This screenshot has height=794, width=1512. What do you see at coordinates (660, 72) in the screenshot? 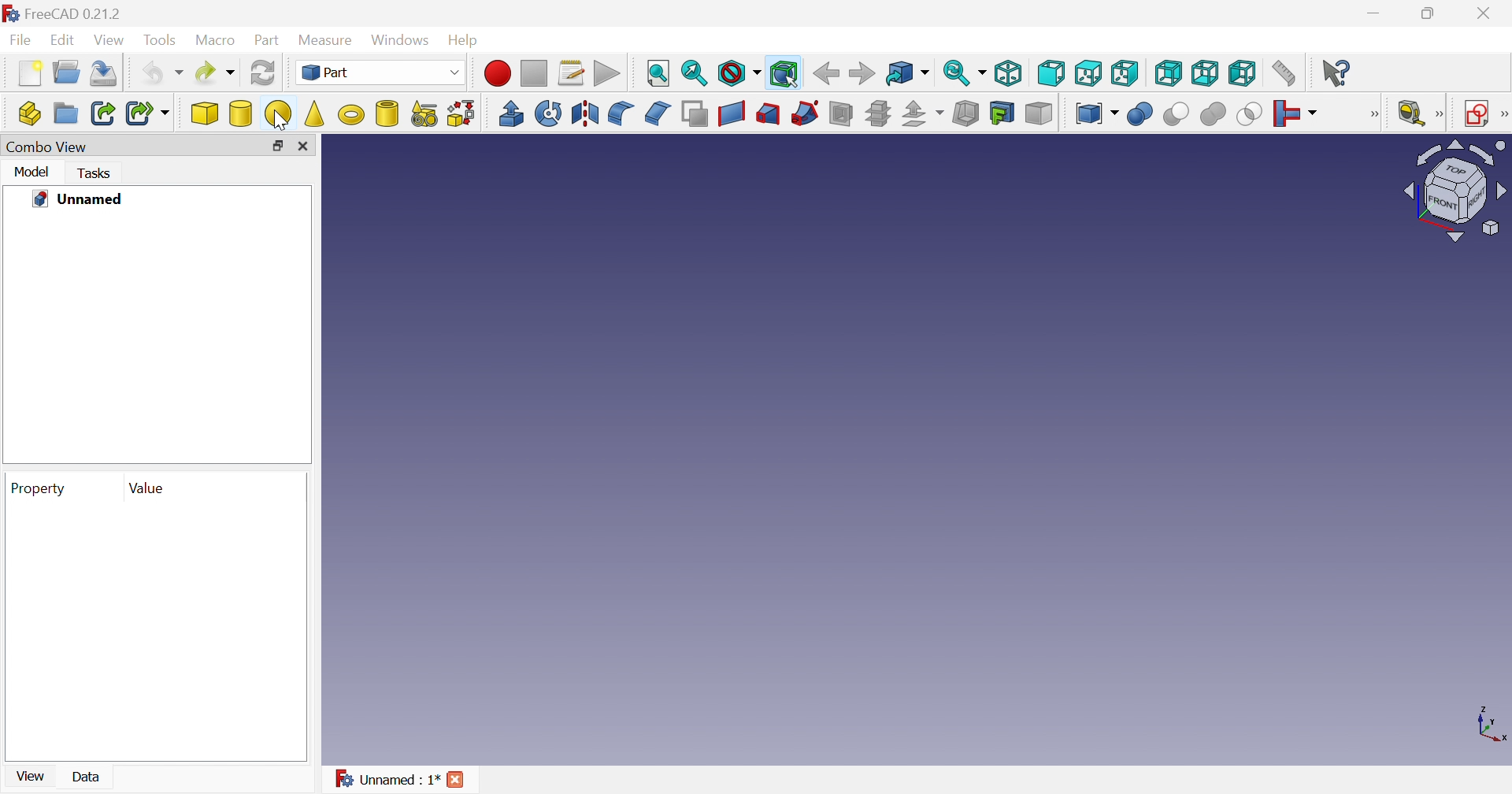
I see `Fit all` at bounding box center [660, 72].